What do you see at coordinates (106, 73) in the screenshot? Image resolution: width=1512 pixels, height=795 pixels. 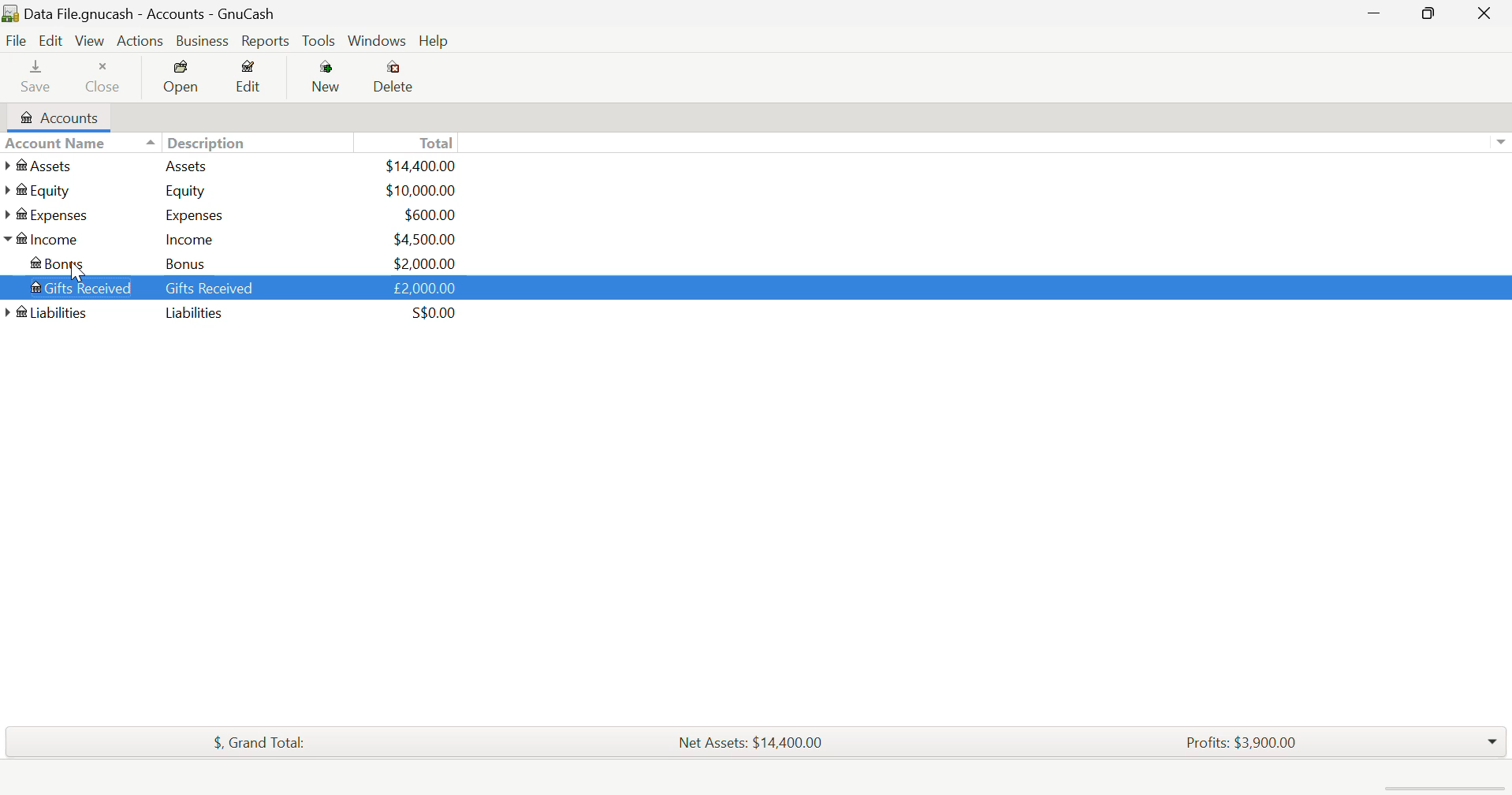 I see `Close` at bounding box center [106, 73].